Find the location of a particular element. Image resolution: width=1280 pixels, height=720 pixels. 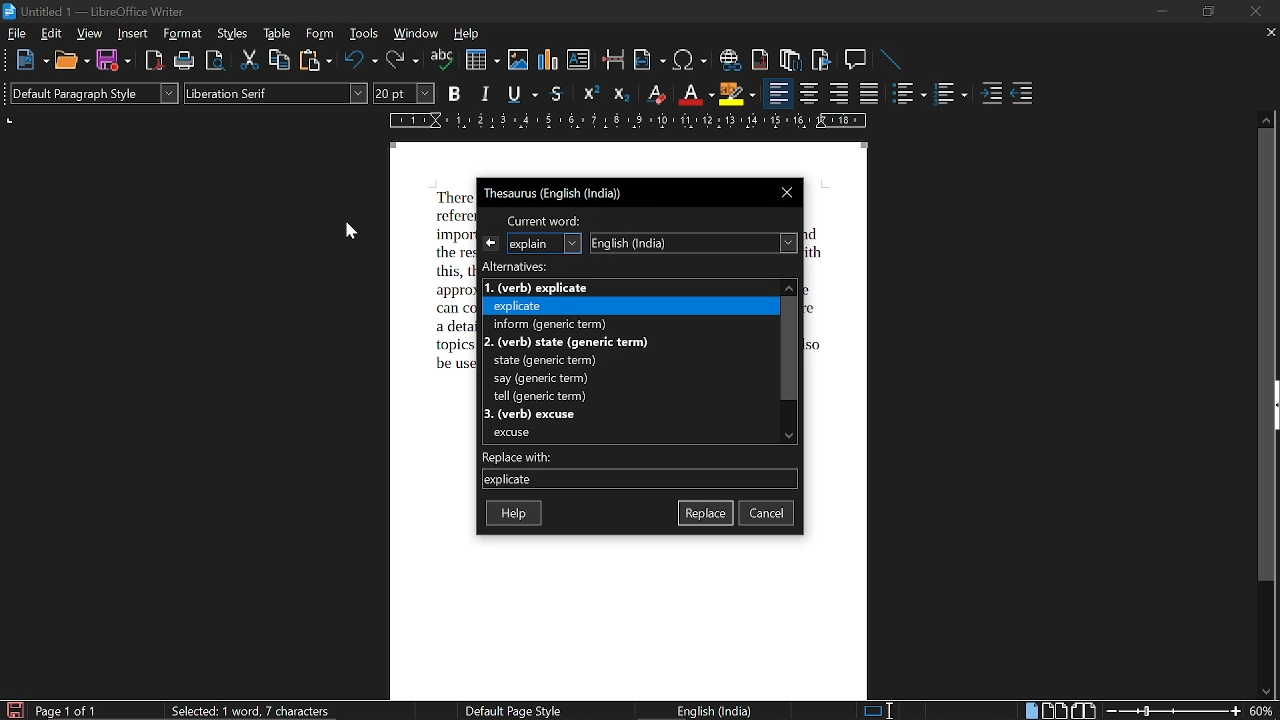

move up is located at coordinates (790, 286).